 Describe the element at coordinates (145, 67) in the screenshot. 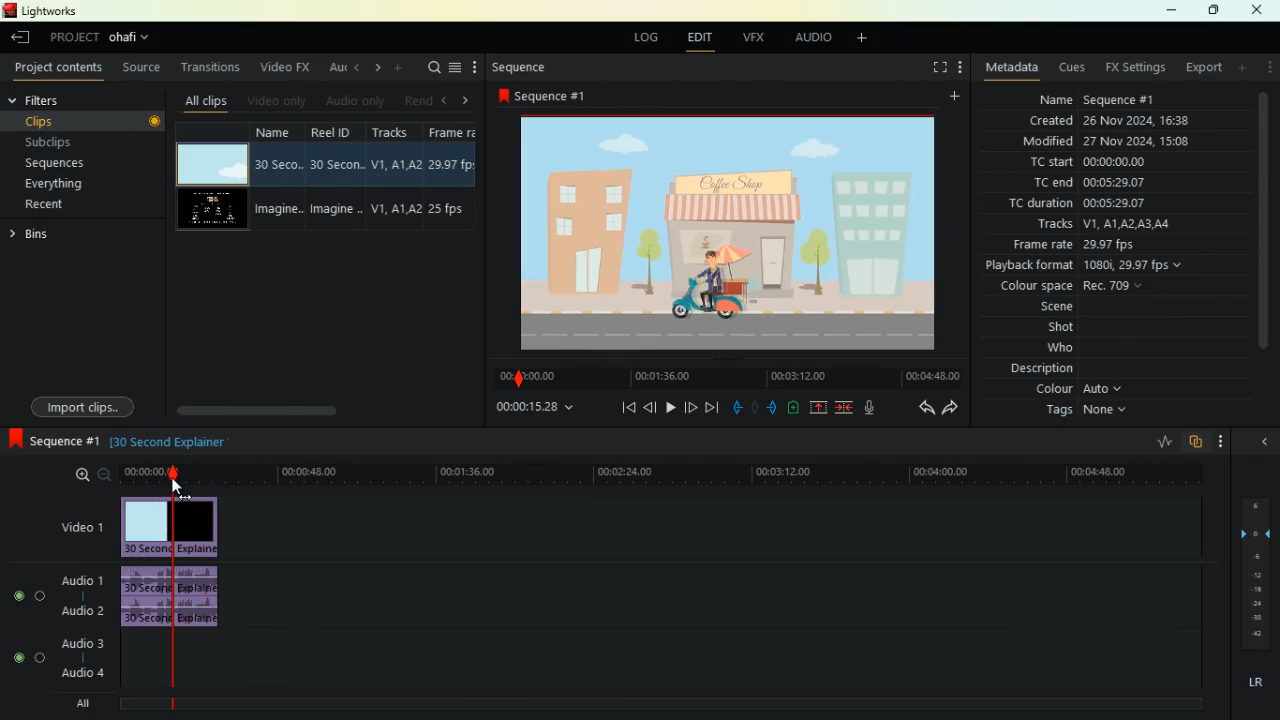

I see `source` at that location.